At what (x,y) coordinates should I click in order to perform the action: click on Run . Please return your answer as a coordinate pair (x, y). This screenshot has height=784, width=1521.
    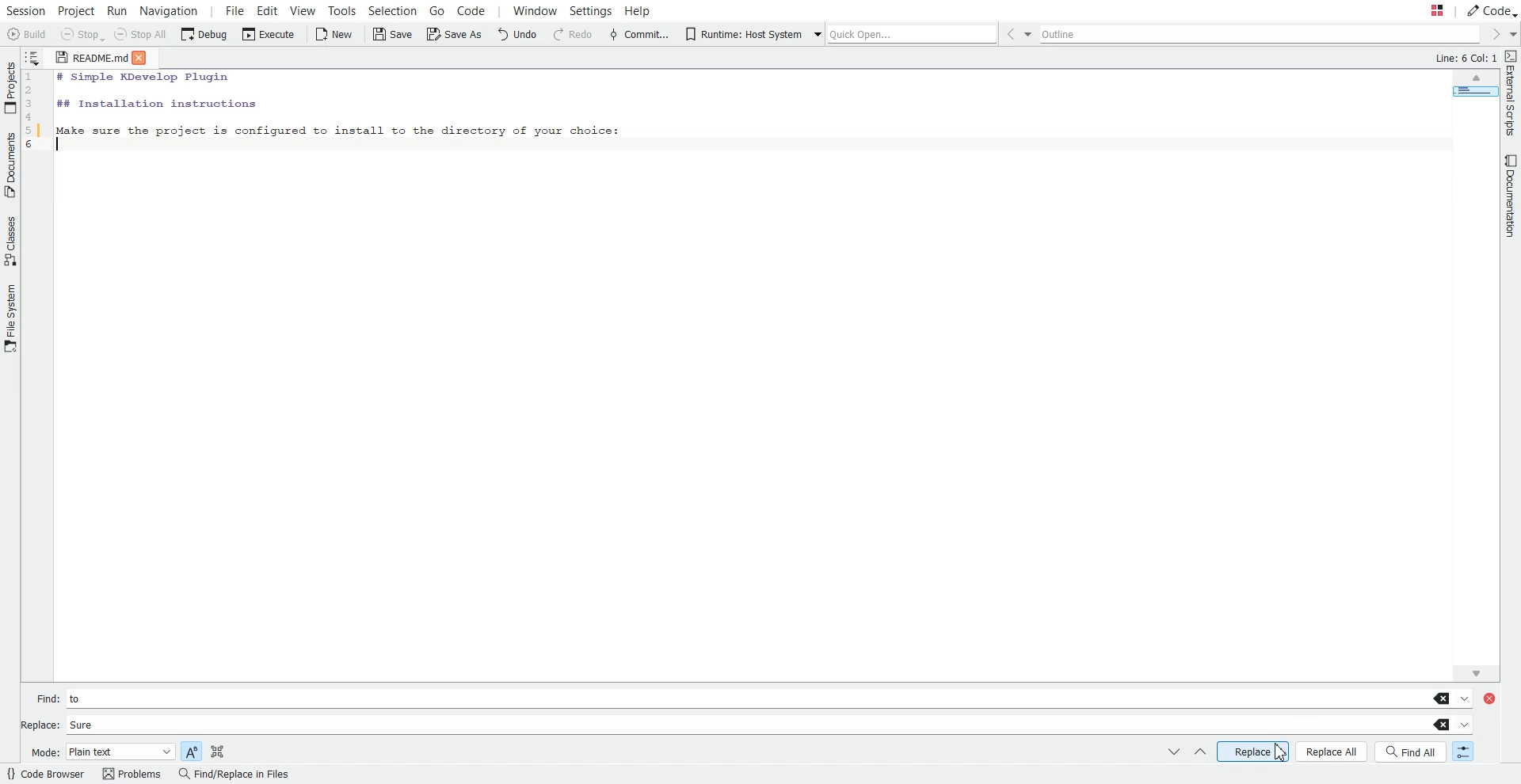
    Looking at the image, I should click on (120, 10).